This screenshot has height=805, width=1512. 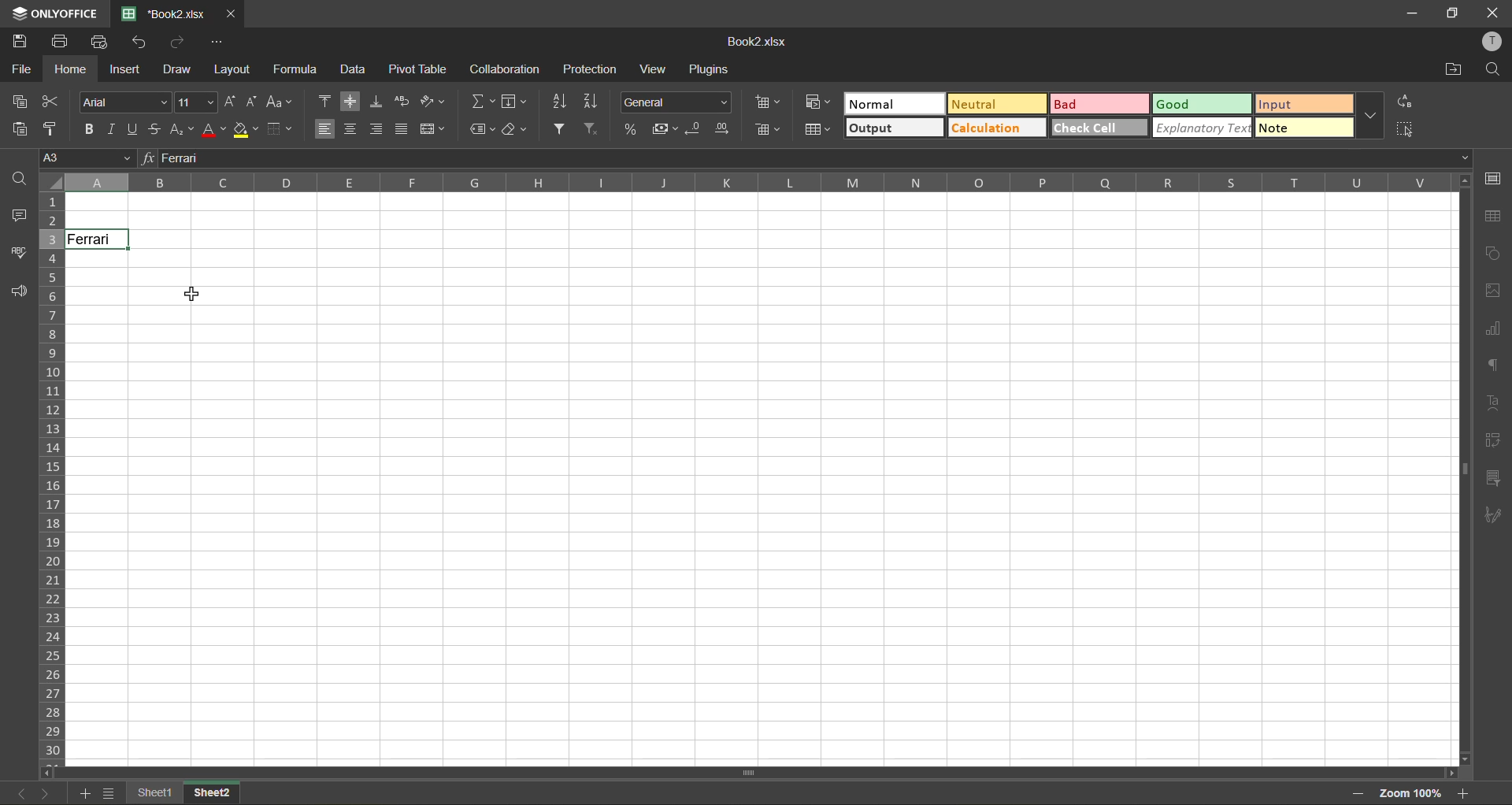 What do you see at coordinates (1494, 291) in the screenshot?
I see `images` at bounding box center [1494, 291].